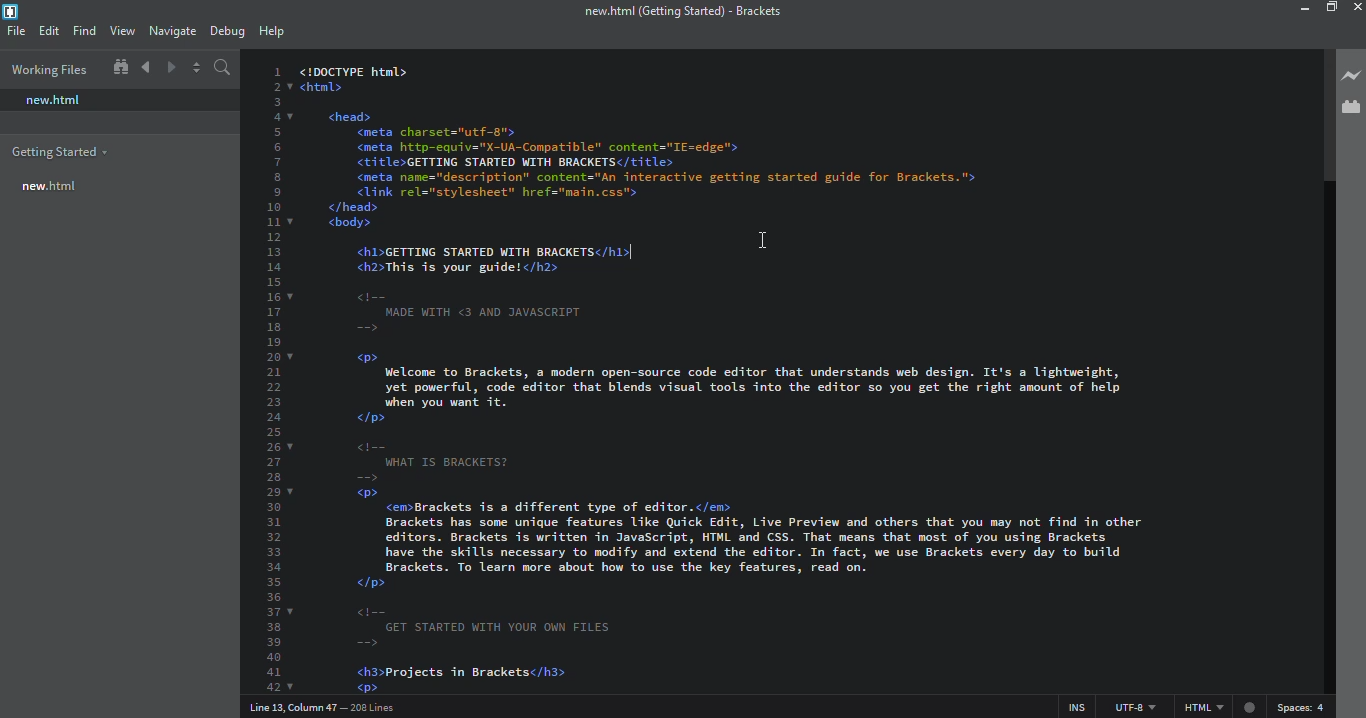  I want to click on scroll bar, so click(1321, 112).